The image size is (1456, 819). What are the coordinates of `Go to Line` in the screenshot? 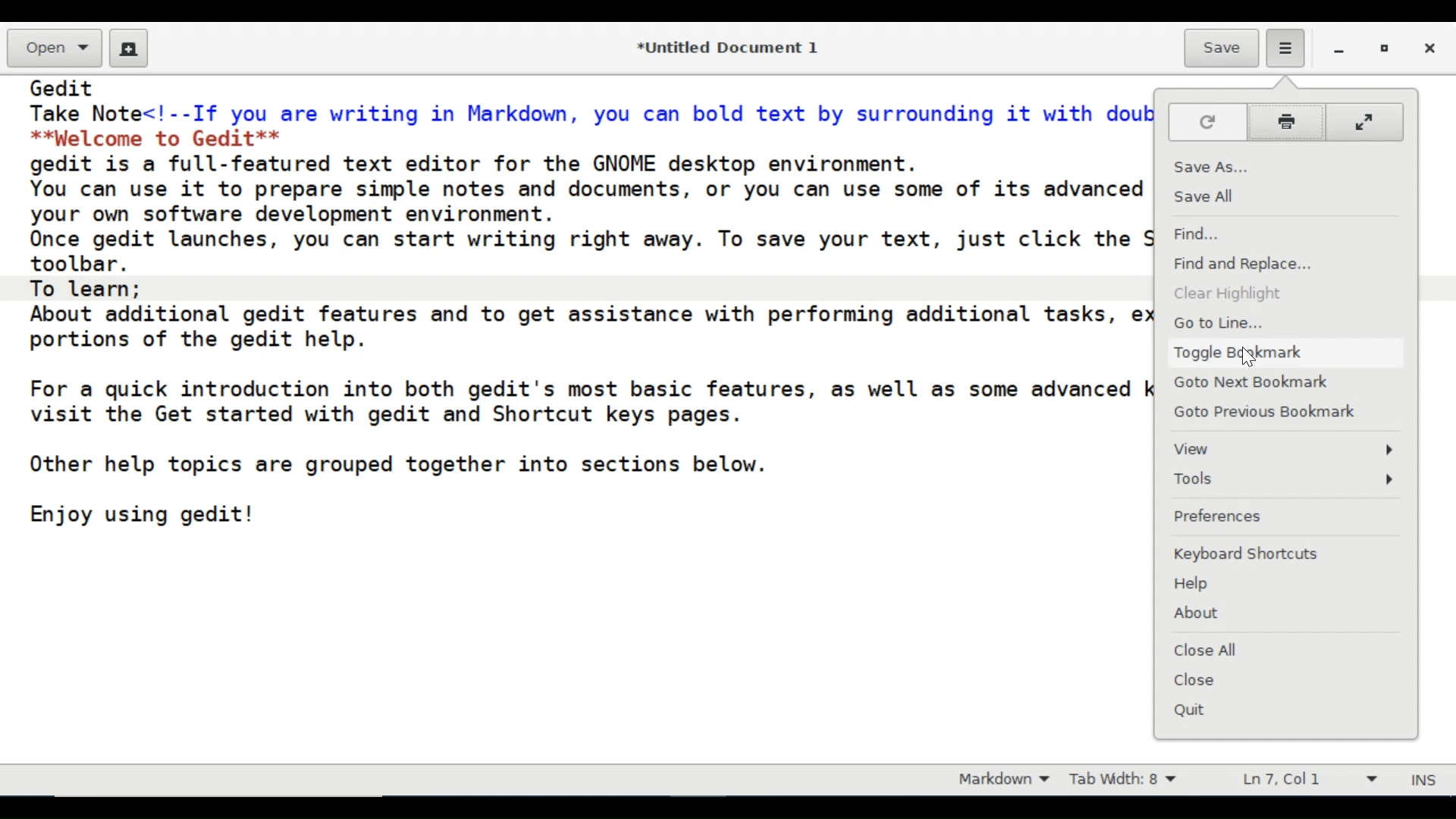 It's located at (1217, 325).